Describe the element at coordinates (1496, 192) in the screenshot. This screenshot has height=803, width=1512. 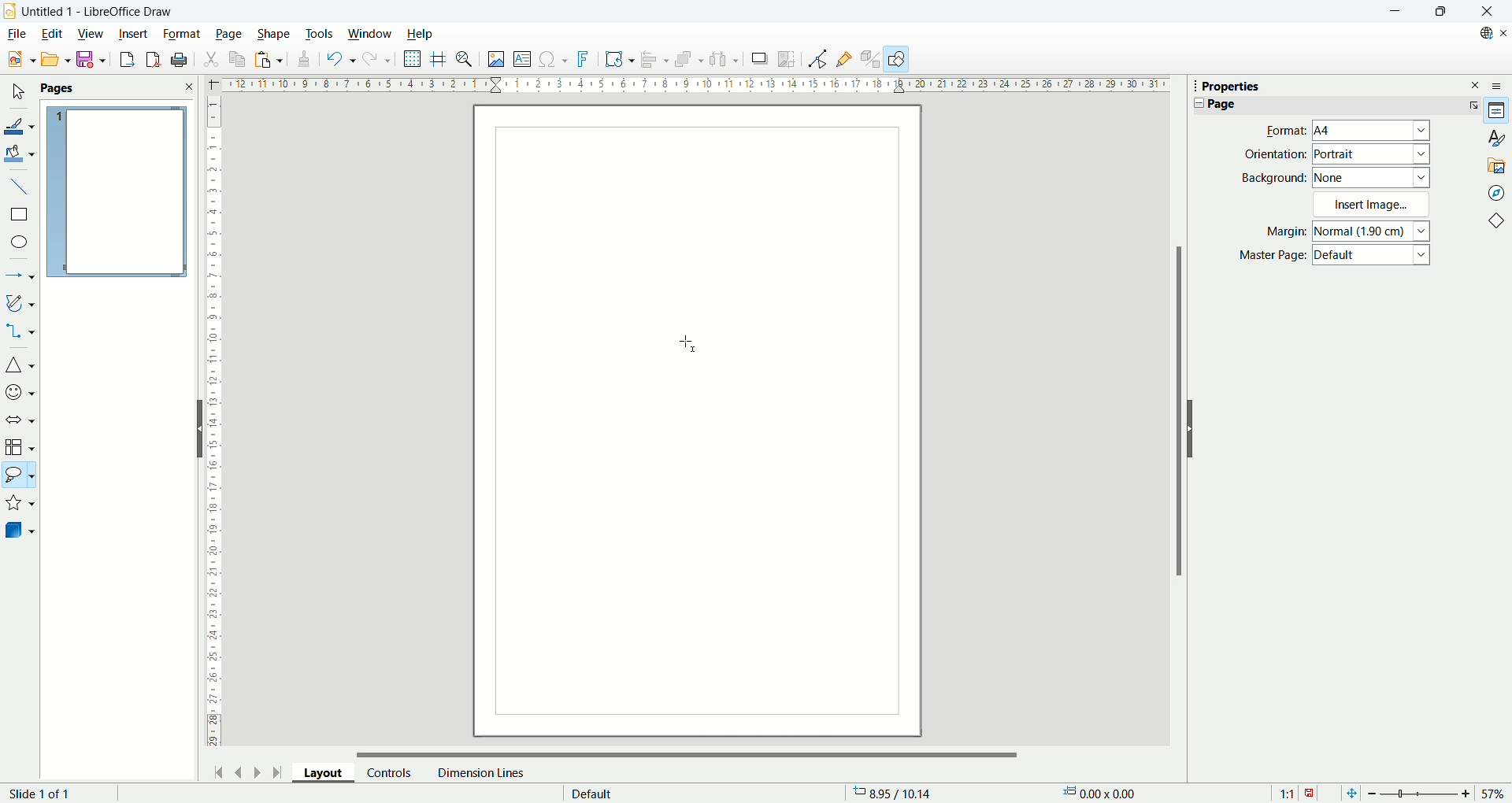
I see `Navigator` at that location.